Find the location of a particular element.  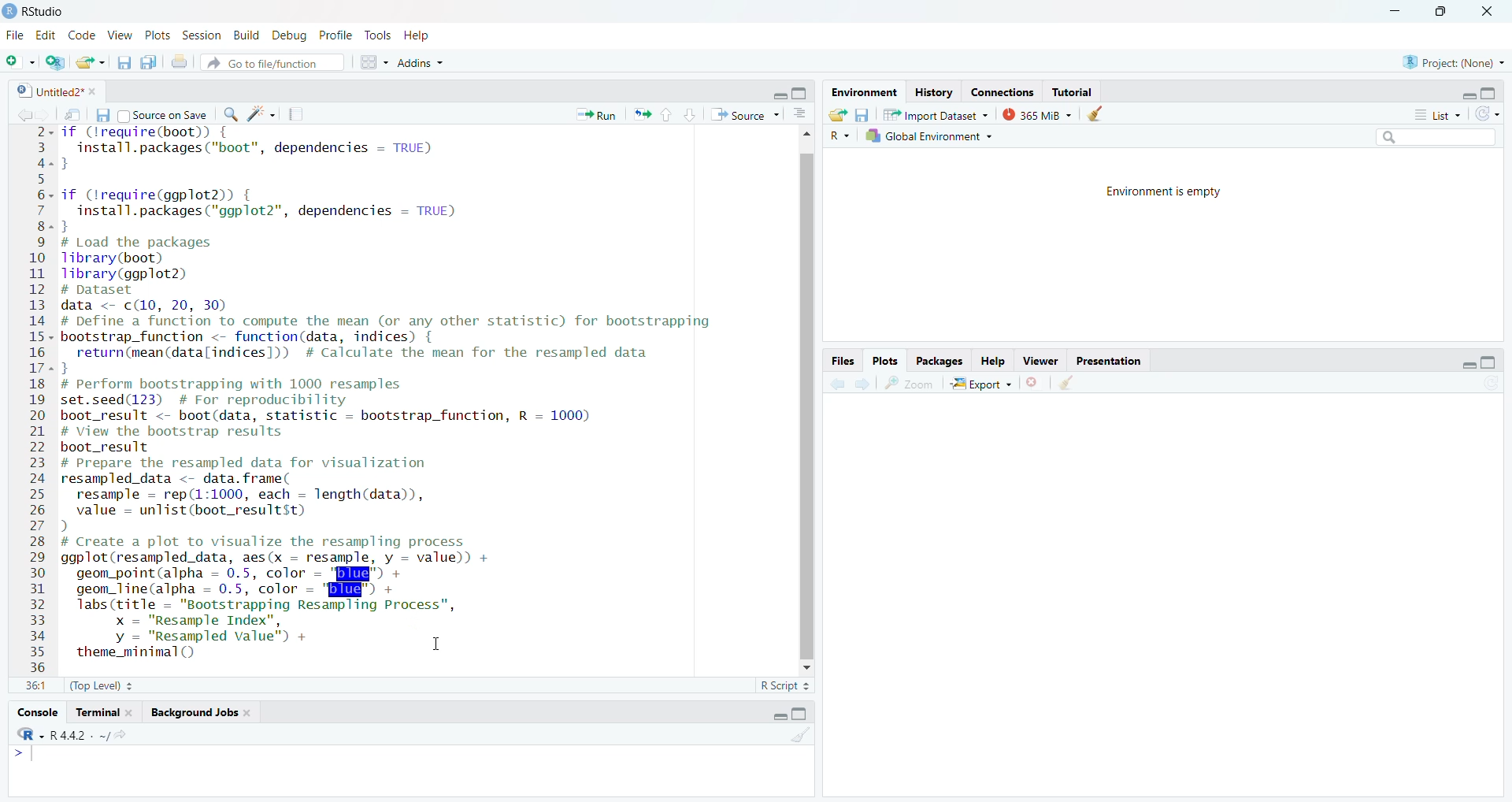

Presentation is located at coordinates (1114, 362).